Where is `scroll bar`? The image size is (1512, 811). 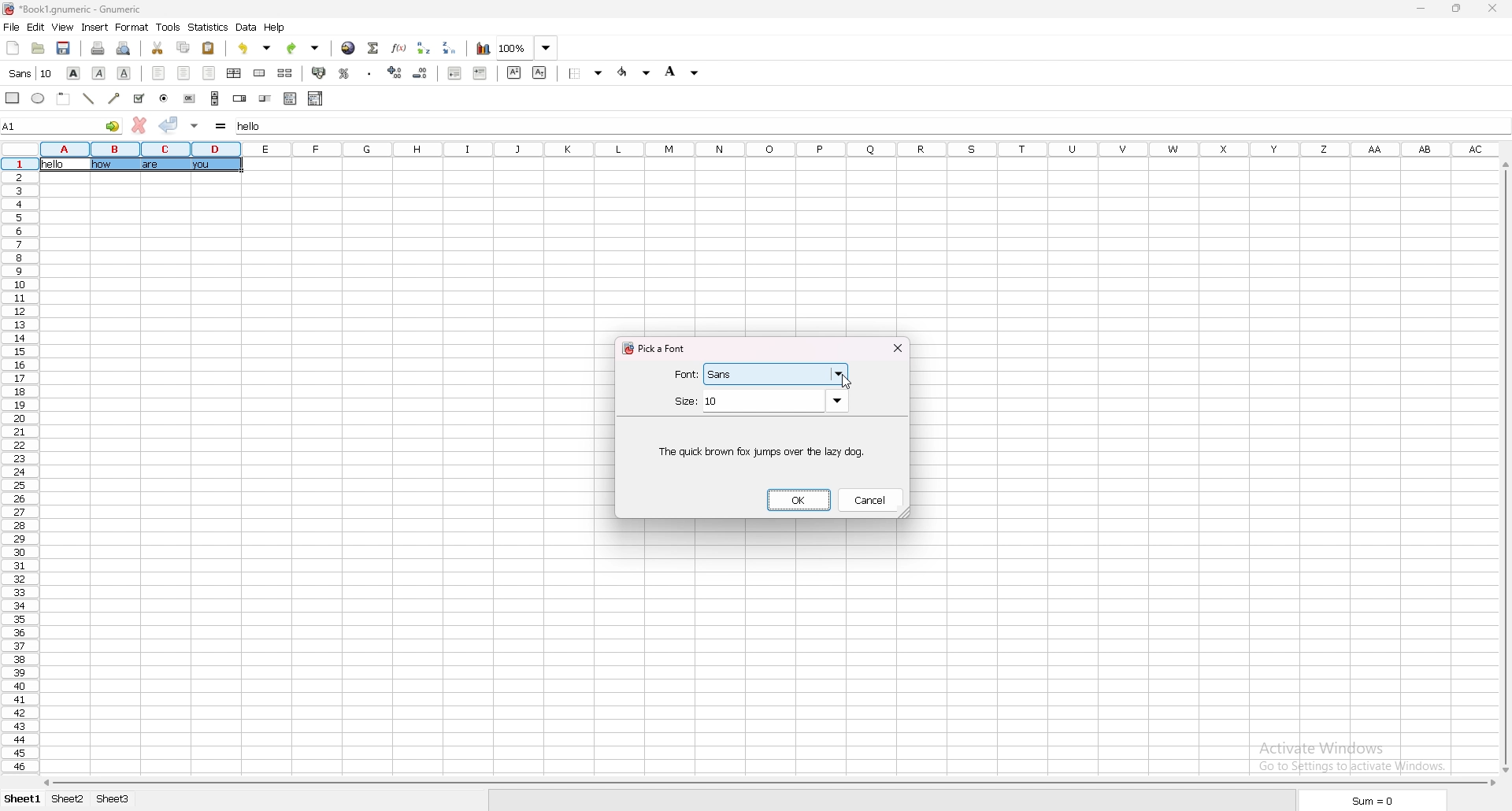 scroll bar is located at coordinates (767, 783).